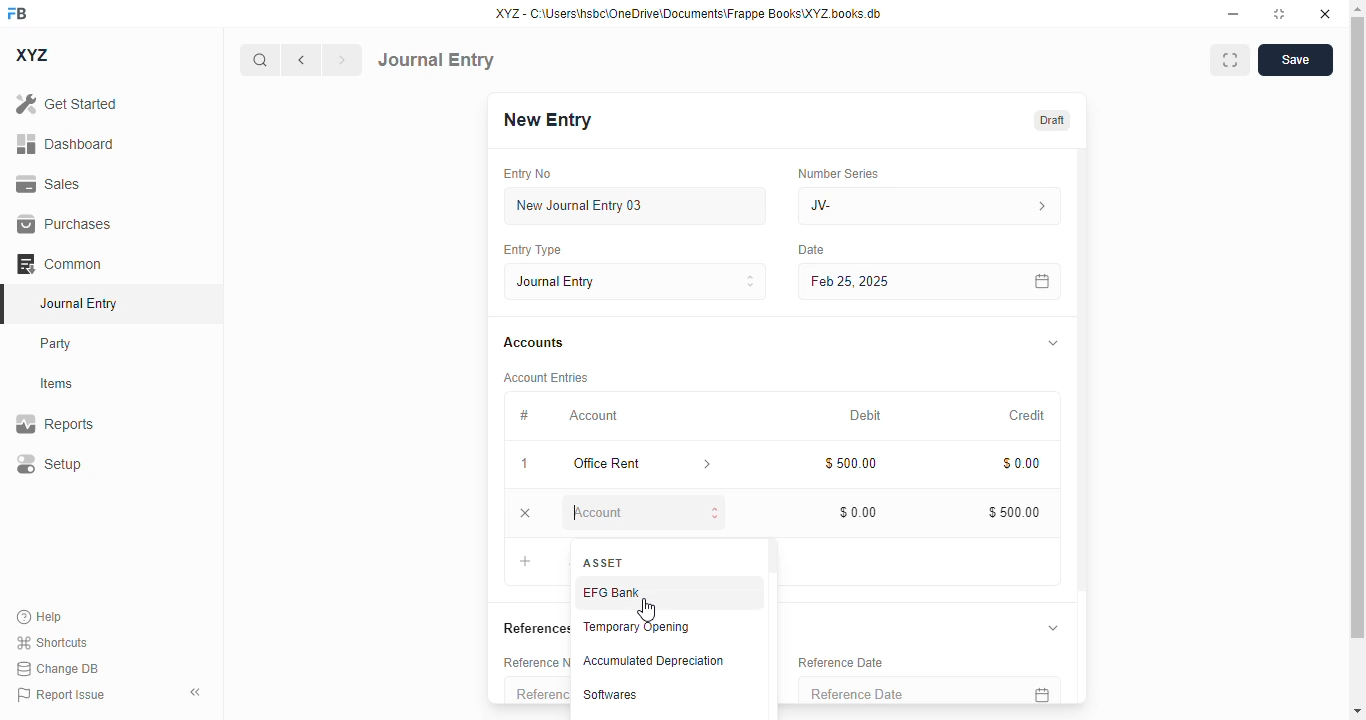 This screenshot has width=1366, height=720. Describe the element at coordinates (1230, 61) in the screenshot. I see `toggle between form and full width` at that location.